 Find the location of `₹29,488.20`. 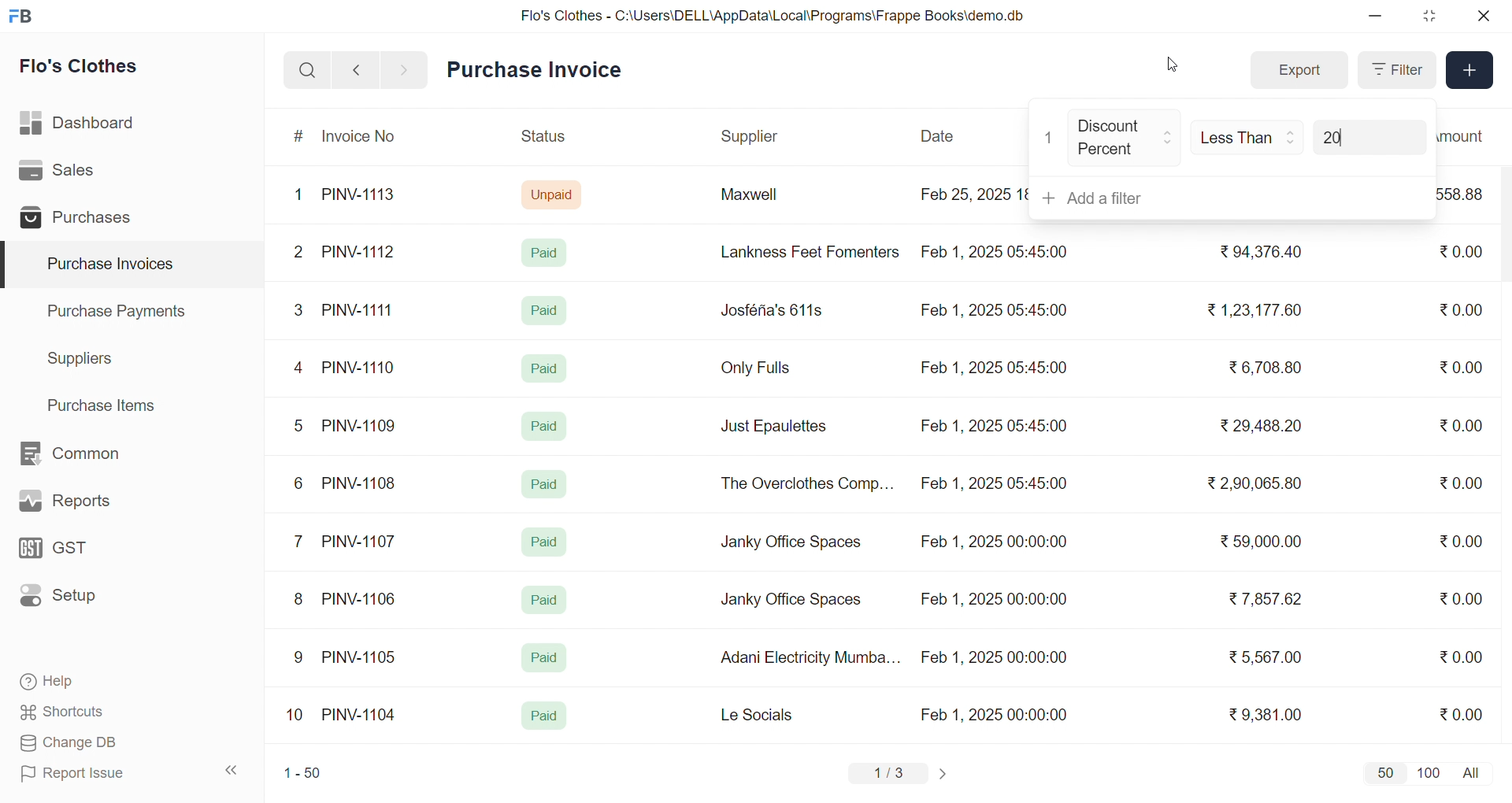

₹29,488.20 is located at coordinates (1256, 426).